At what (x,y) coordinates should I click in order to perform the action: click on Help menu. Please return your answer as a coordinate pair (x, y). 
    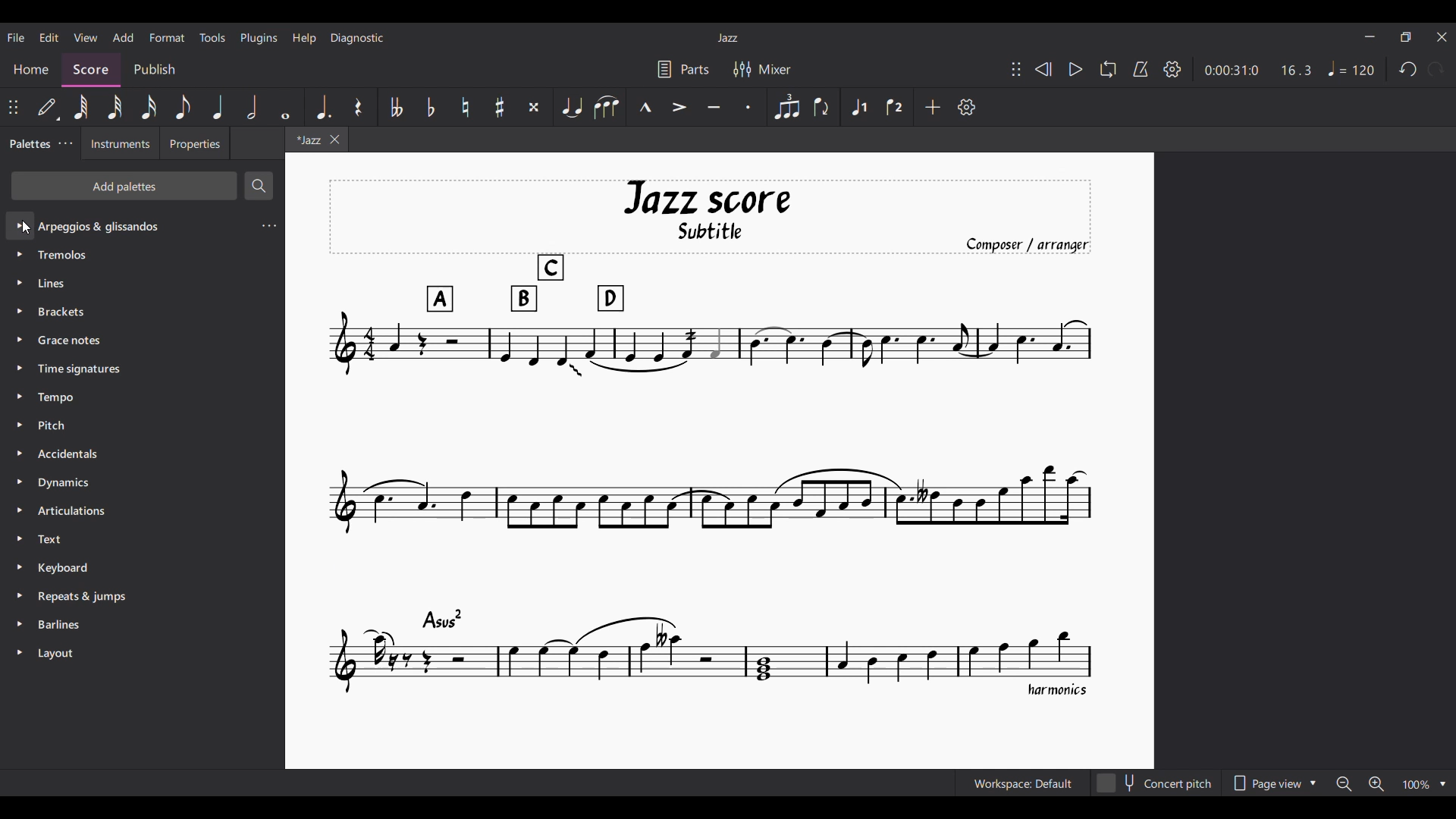
    Looking at the image, I should click on (305, 39).